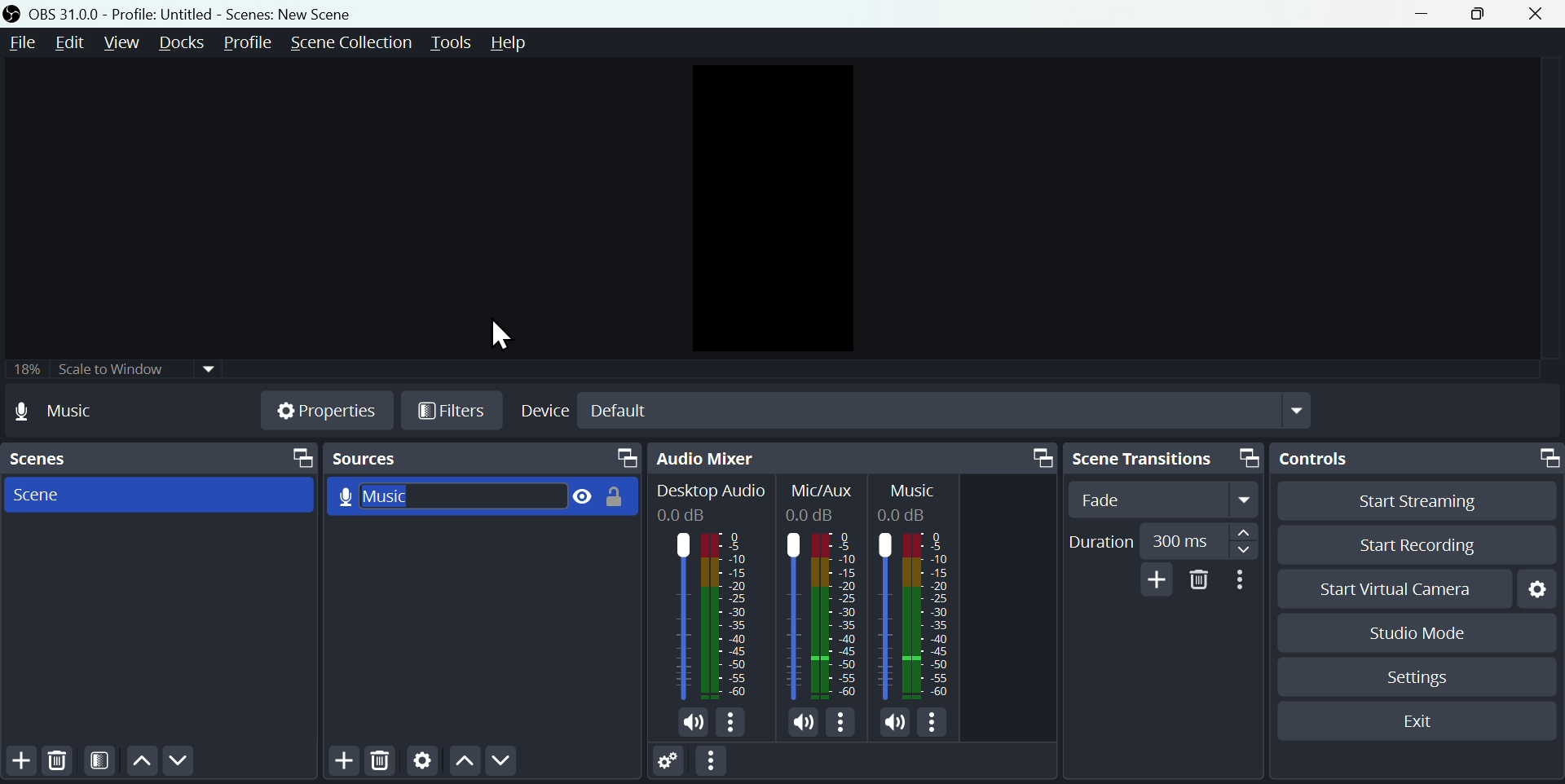 This screenshot has height=784, width=1565. What do you see at coordinates (1417, 455) in the screenshot?
I see `Controls` at bounding box center [1417, 455].